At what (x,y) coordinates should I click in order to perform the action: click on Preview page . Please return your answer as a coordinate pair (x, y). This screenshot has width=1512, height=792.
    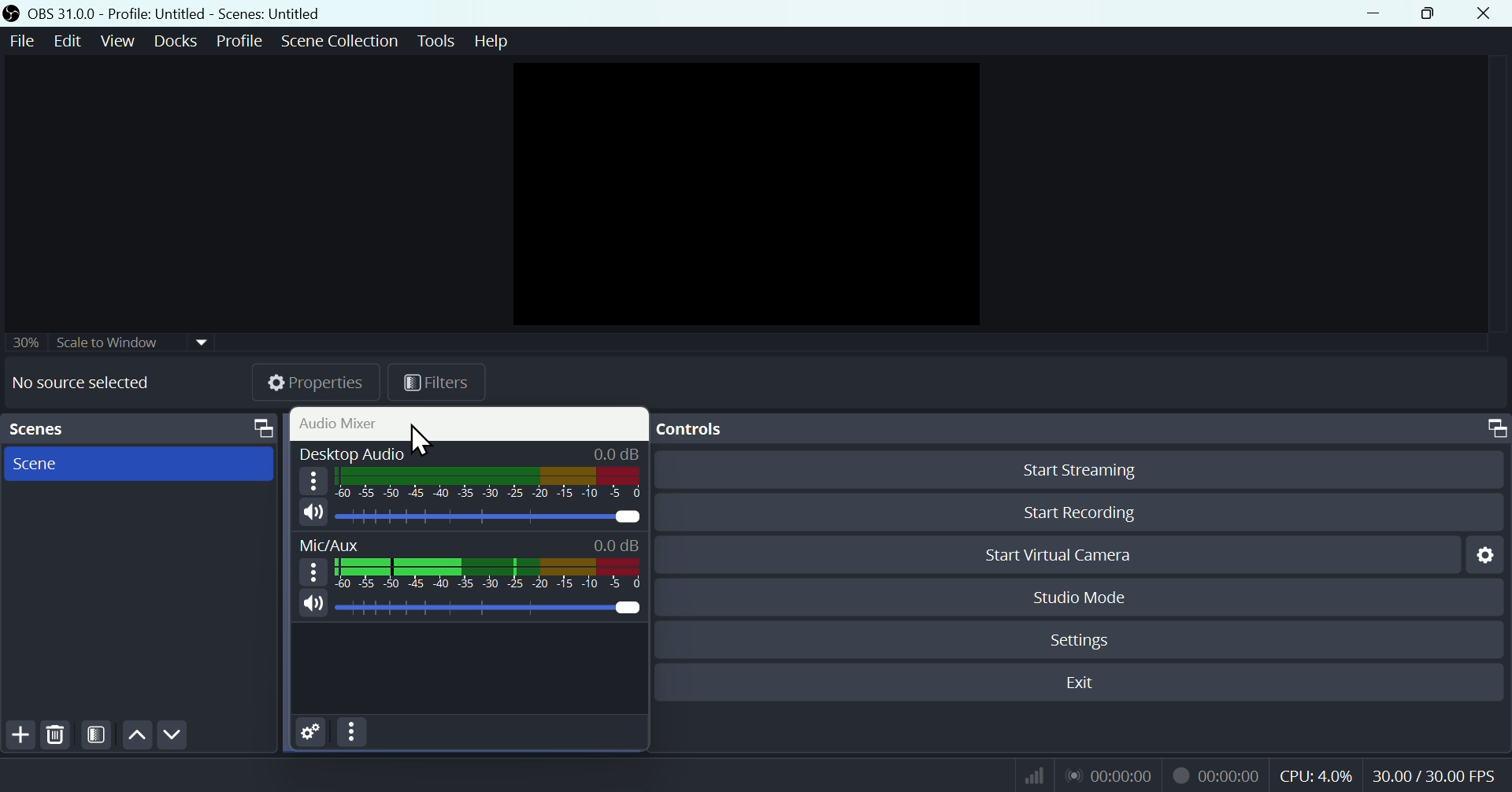
    Looking at the image, I should click on (741, 190).